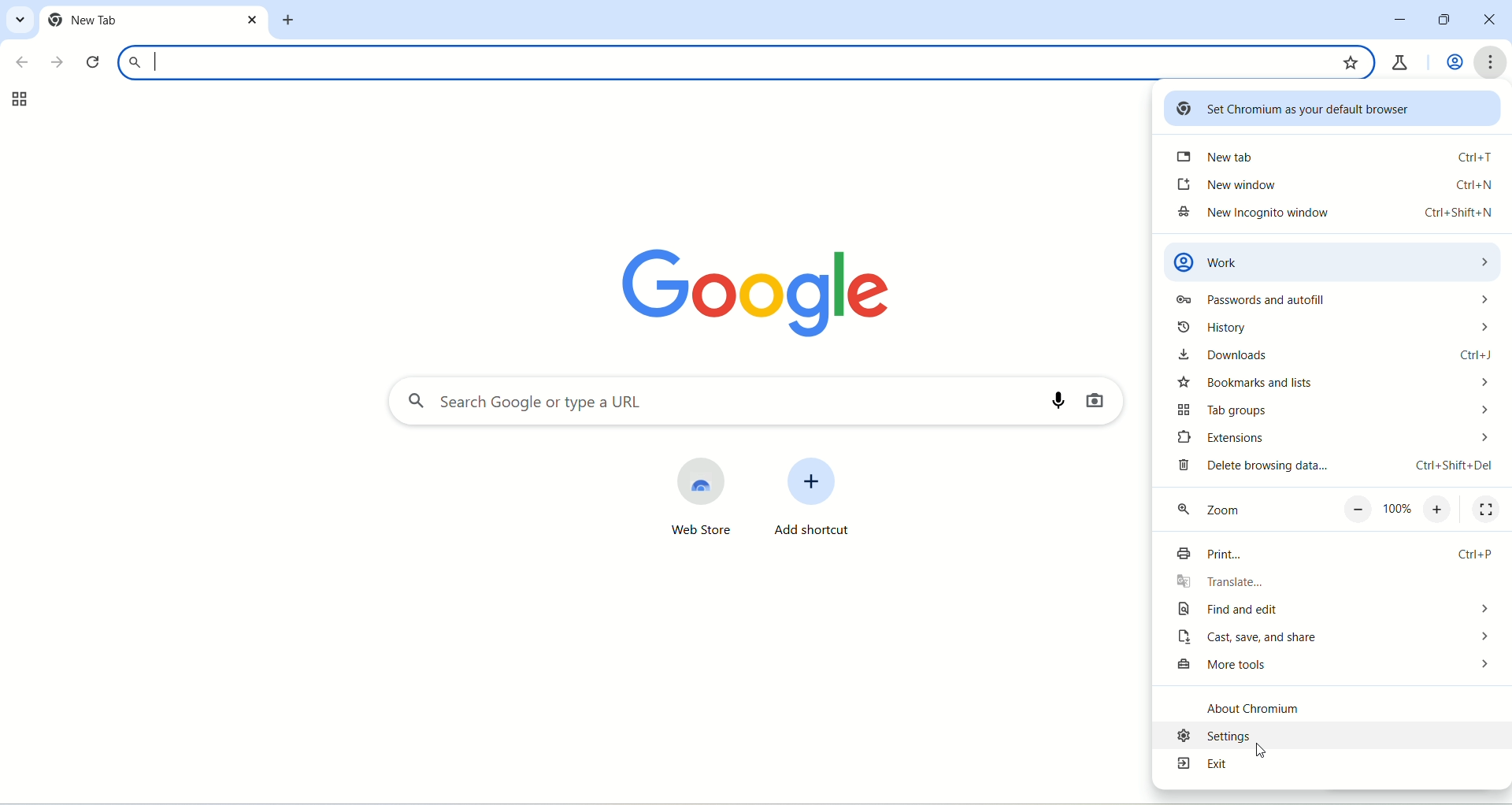  What do you see at coordinates (1333, 110) in the screenshot?
I see `set chromium as your default browser` at bounding box center [1333, 110].